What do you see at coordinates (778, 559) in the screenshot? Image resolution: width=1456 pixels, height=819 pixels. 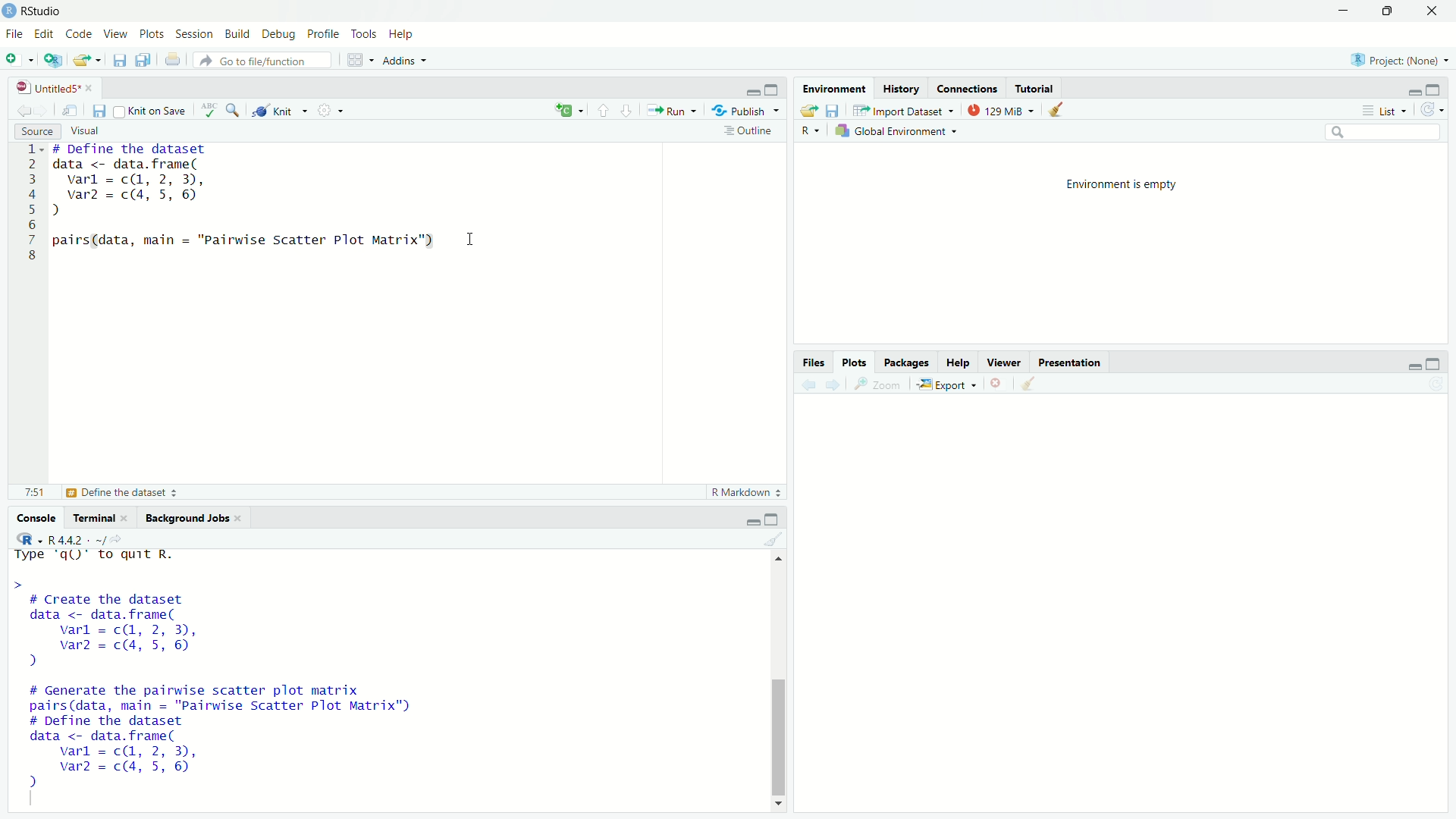 I see `Up` at bounding box center [778, 559].